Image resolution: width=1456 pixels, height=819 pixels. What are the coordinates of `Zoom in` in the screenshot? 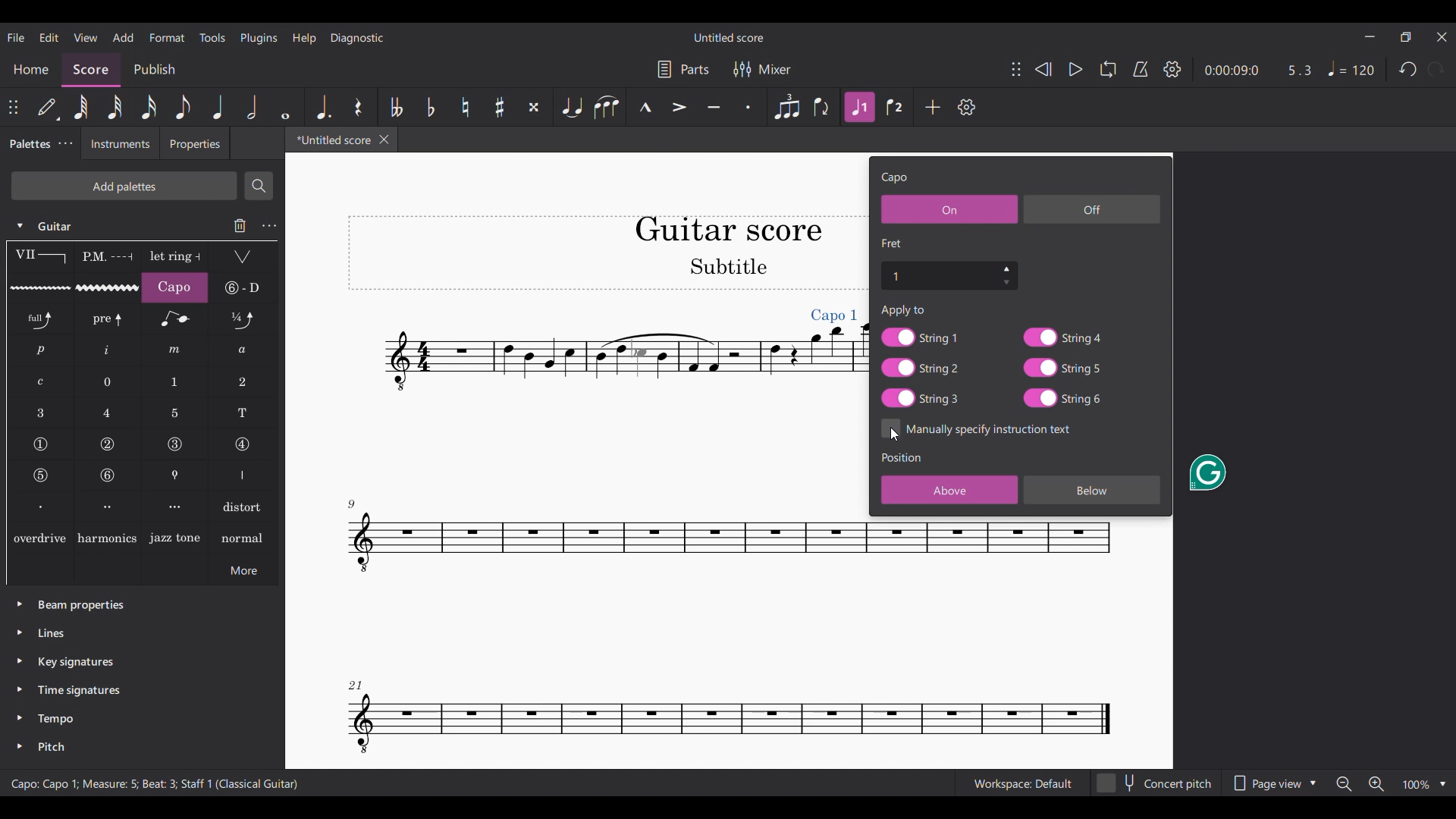 It's located at (1376, 784).